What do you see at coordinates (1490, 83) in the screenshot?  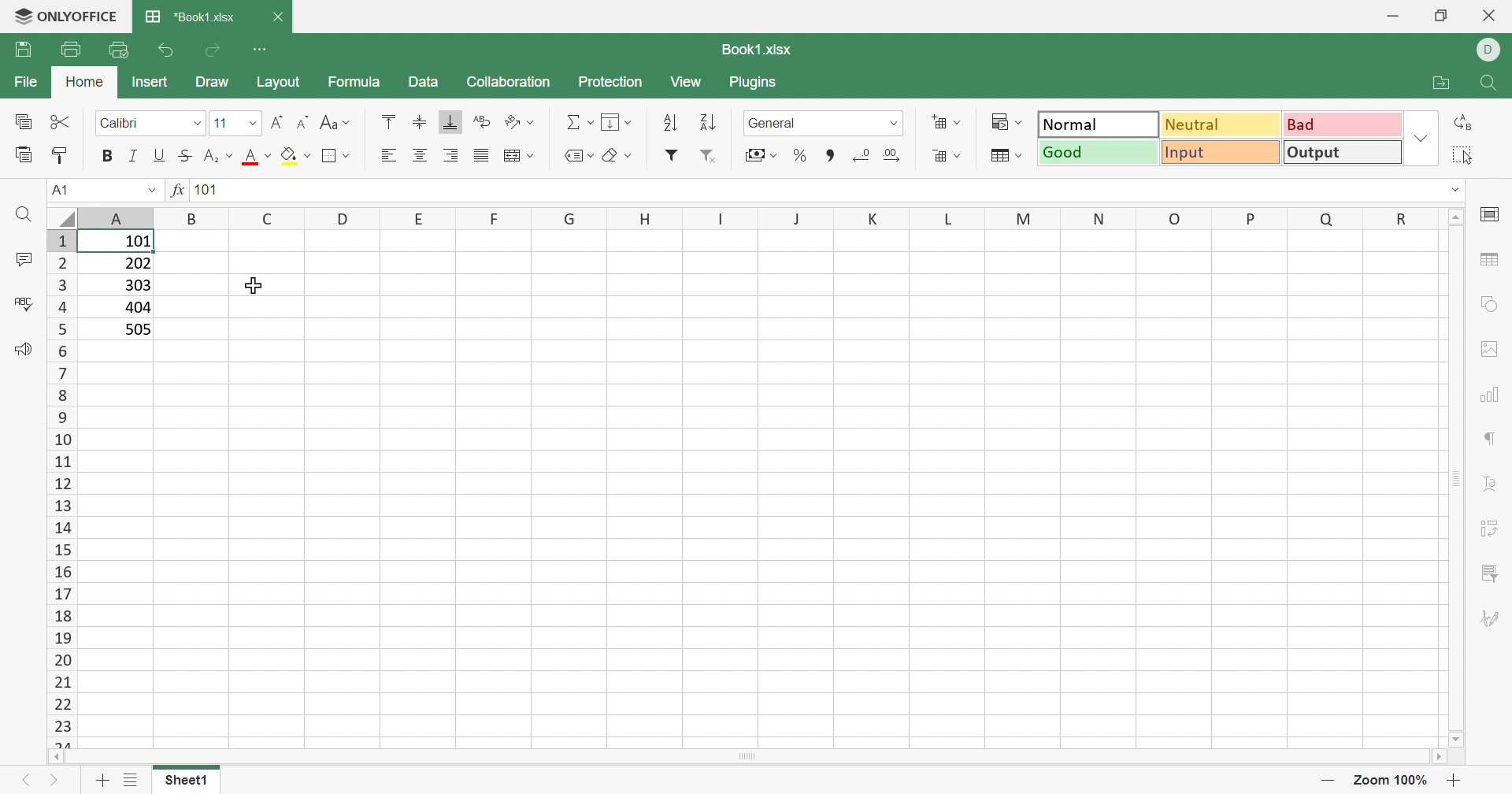 I see `Find` at bounding box center [1490, 83].